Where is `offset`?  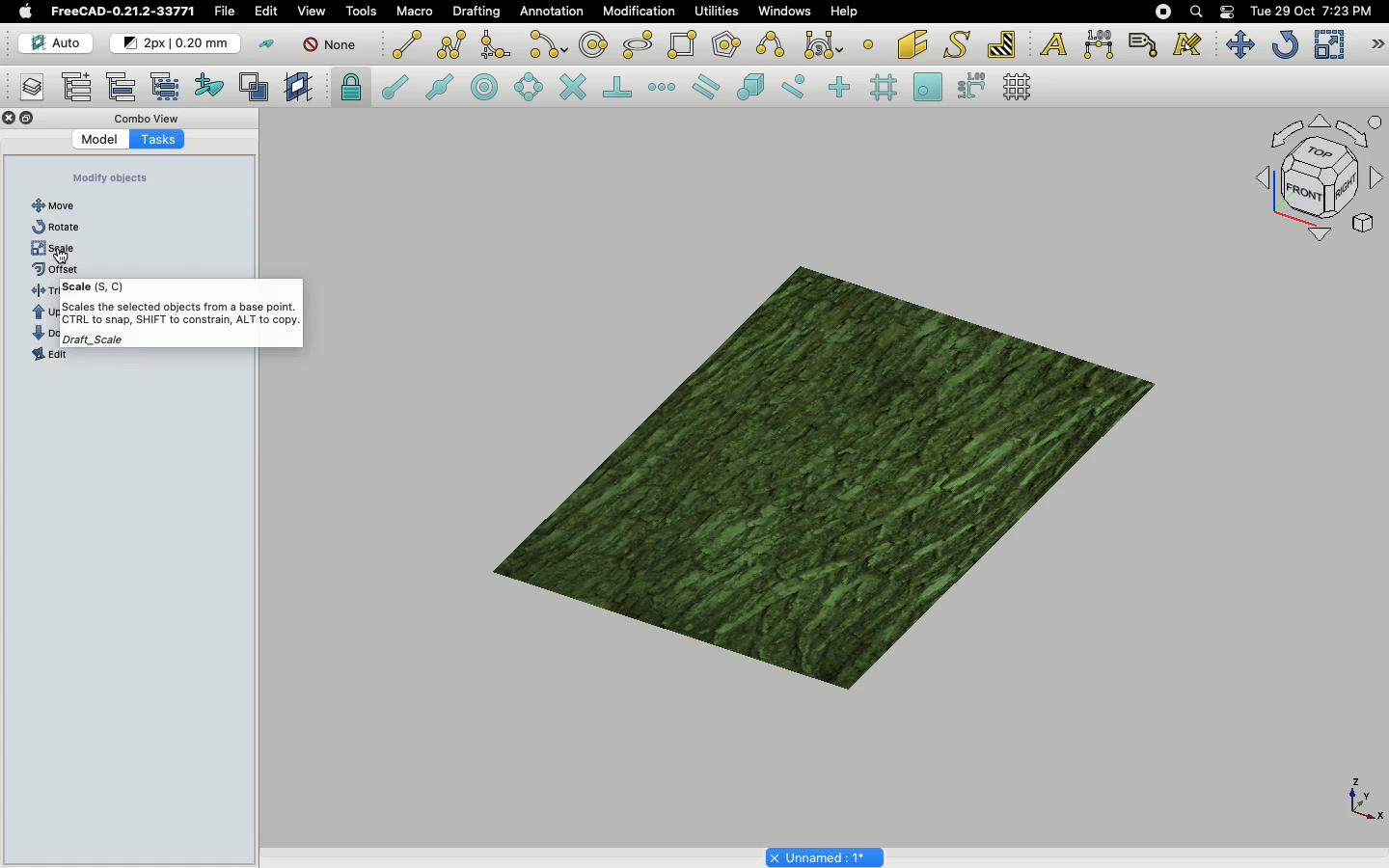
offset is located at coordinates (68, 268).